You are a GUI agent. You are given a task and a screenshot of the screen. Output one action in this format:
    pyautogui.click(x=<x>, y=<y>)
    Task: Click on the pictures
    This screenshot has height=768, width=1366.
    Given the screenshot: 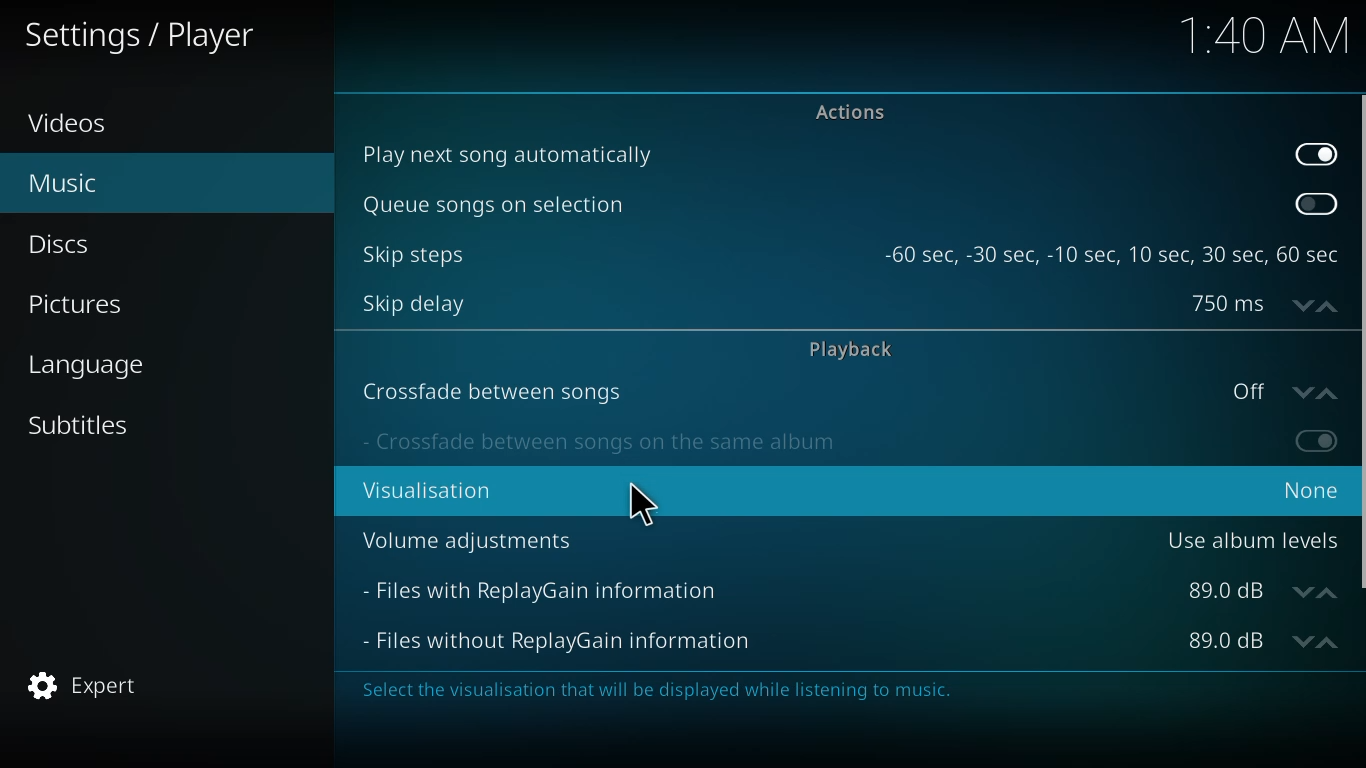 What is the action you would take?
    pyautogui.click(x=79, y=306)
    